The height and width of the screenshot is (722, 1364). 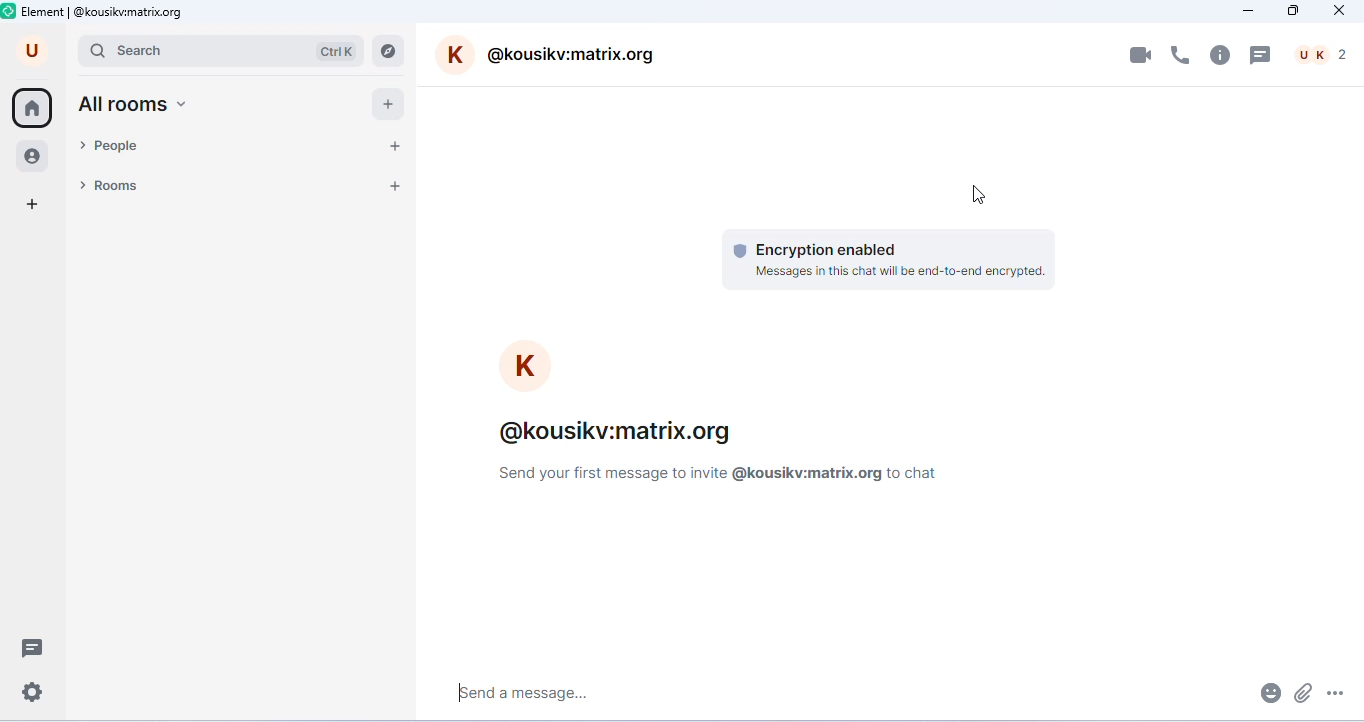 What do you see at coordinates (33, 50) in the screenshot?
I see `account` at bounding box center [33, 50].